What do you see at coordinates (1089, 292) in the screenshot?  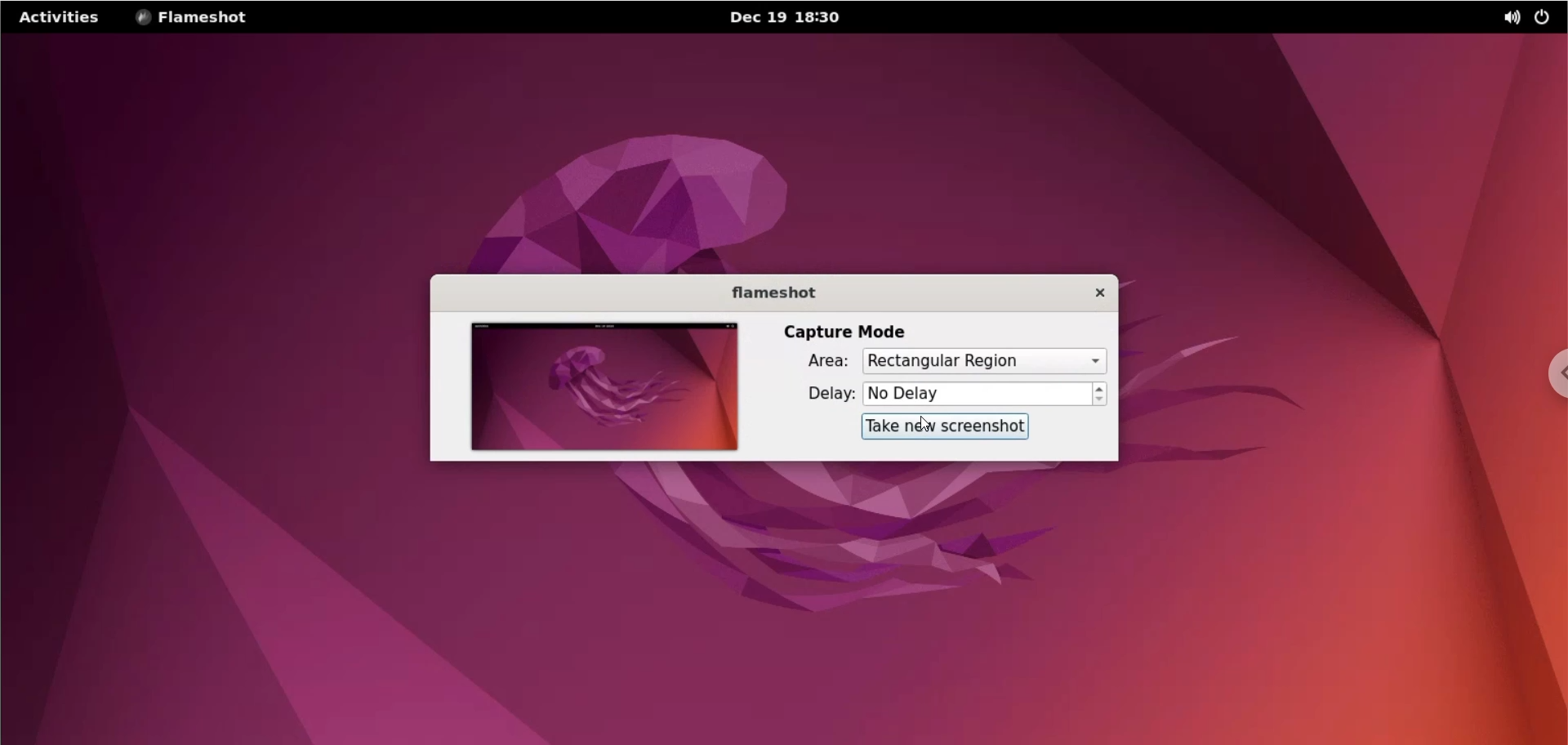 I see `close` at bounding box center [1089, 292].